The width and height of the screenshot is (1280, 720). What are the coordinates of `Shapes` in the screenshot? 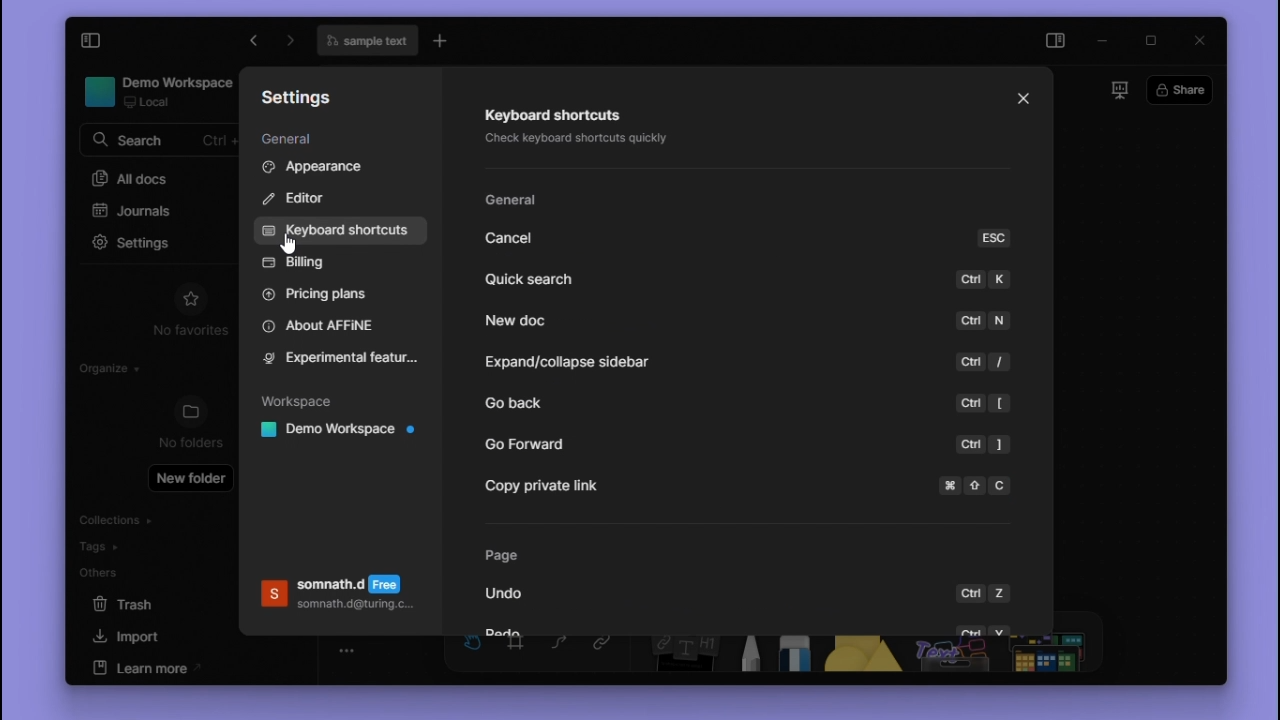 It's located at (857, 657).